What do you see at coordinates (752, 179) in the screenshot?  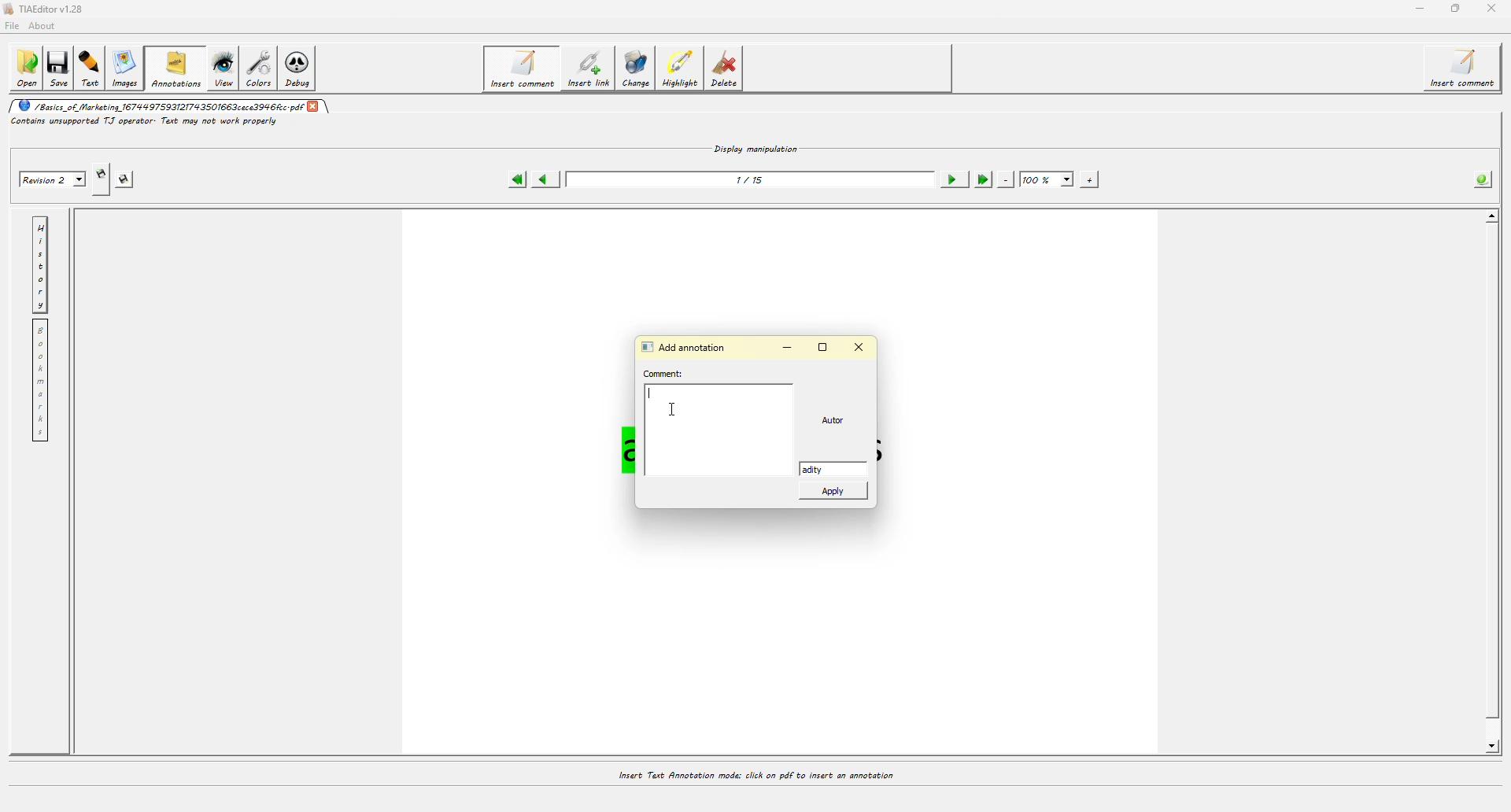 I see `1/15` at bounding box center [752, 179].